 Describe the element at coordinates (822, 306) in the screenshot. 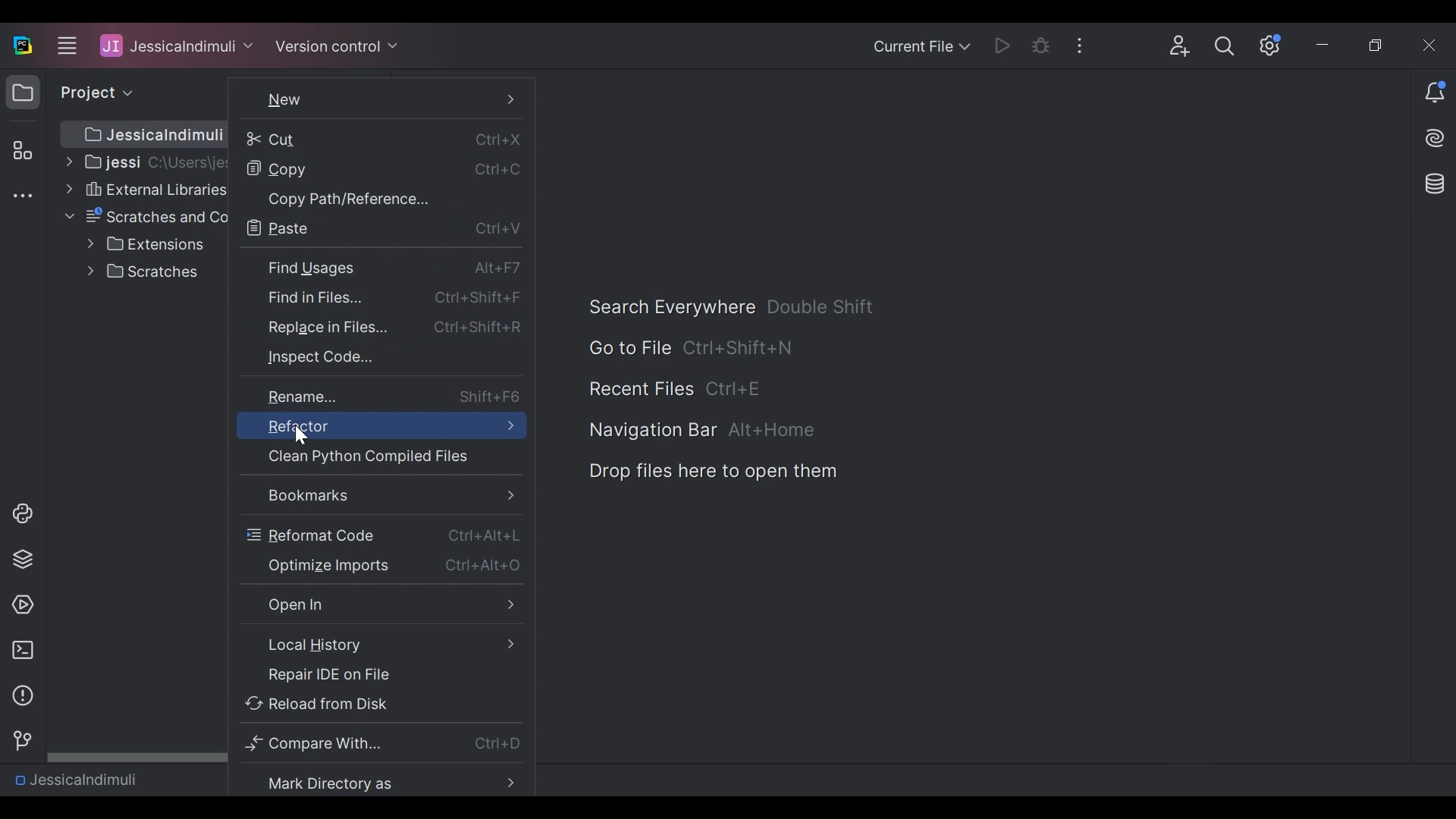

I see `Double Shift` at that location.